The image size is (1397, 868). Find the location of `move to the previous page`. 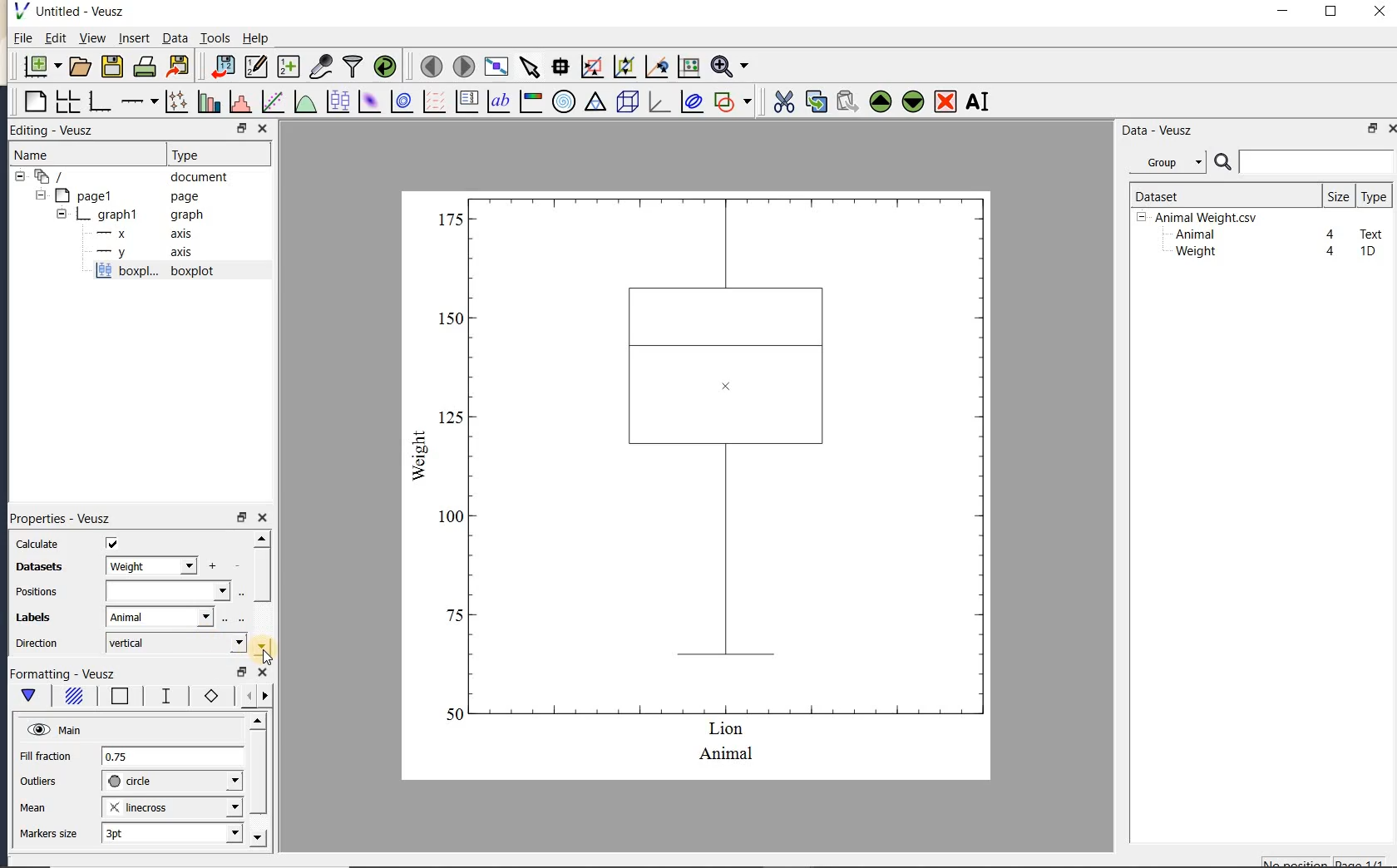

move to the previous page is located at coordinates (428, 65).